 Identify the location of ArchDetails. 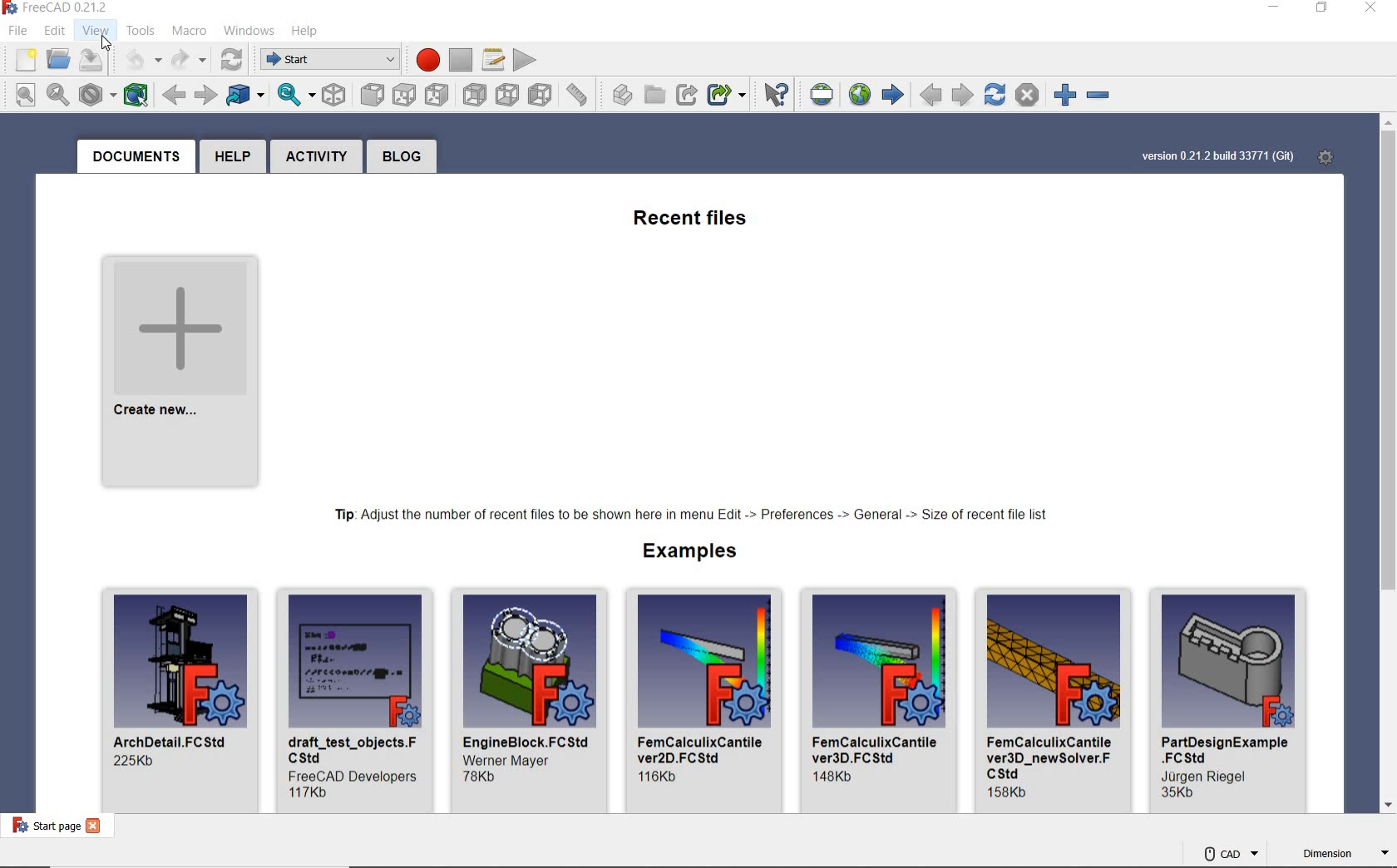
(177, 701).